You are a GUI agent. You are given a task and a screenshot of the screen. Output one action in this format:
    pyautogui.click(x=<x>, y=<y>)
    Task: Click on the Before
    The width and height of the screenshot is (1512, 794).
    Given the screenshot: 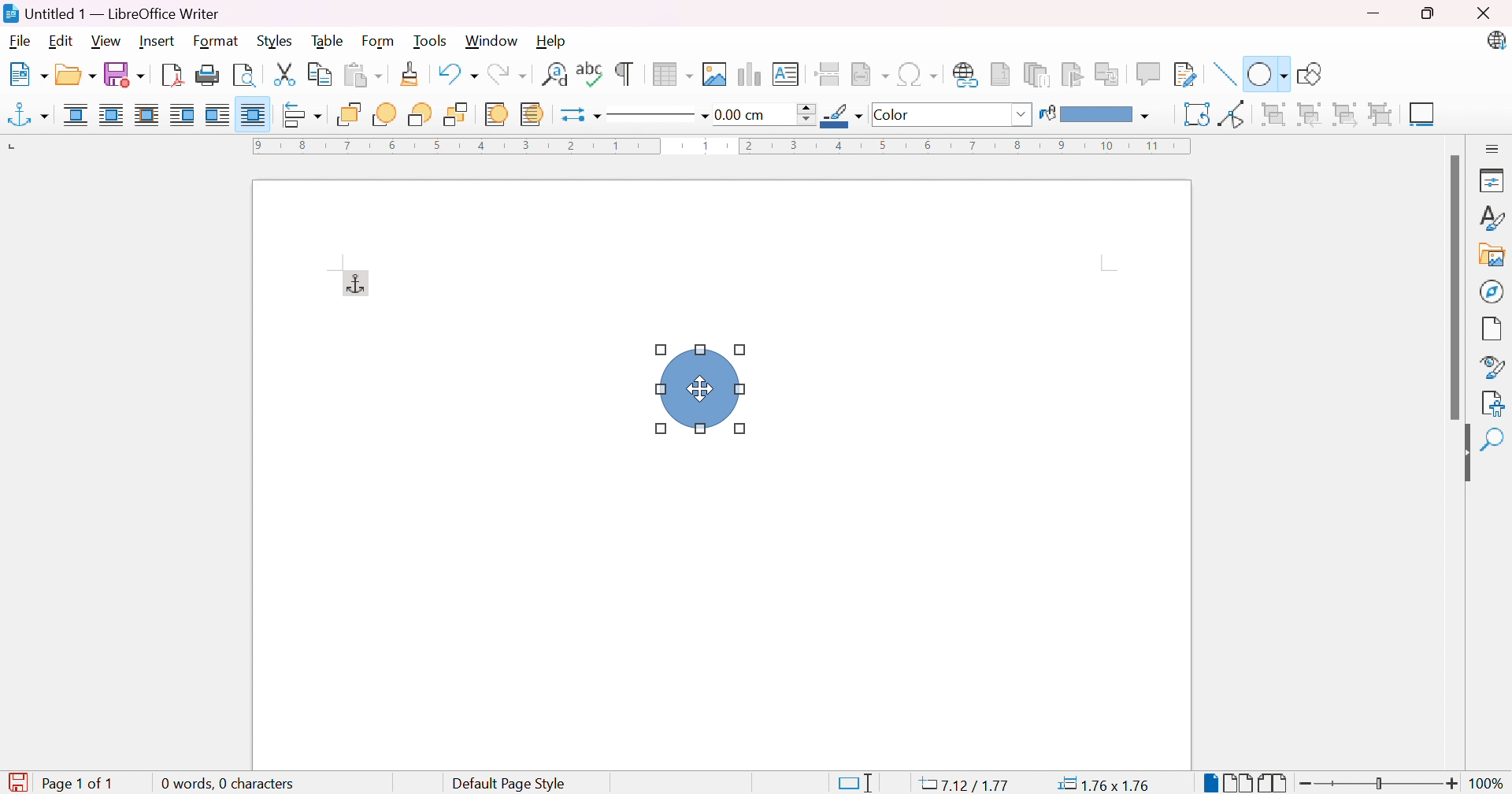 What is the action you would take?
    pyautogui.click(x=182, y=114)
    